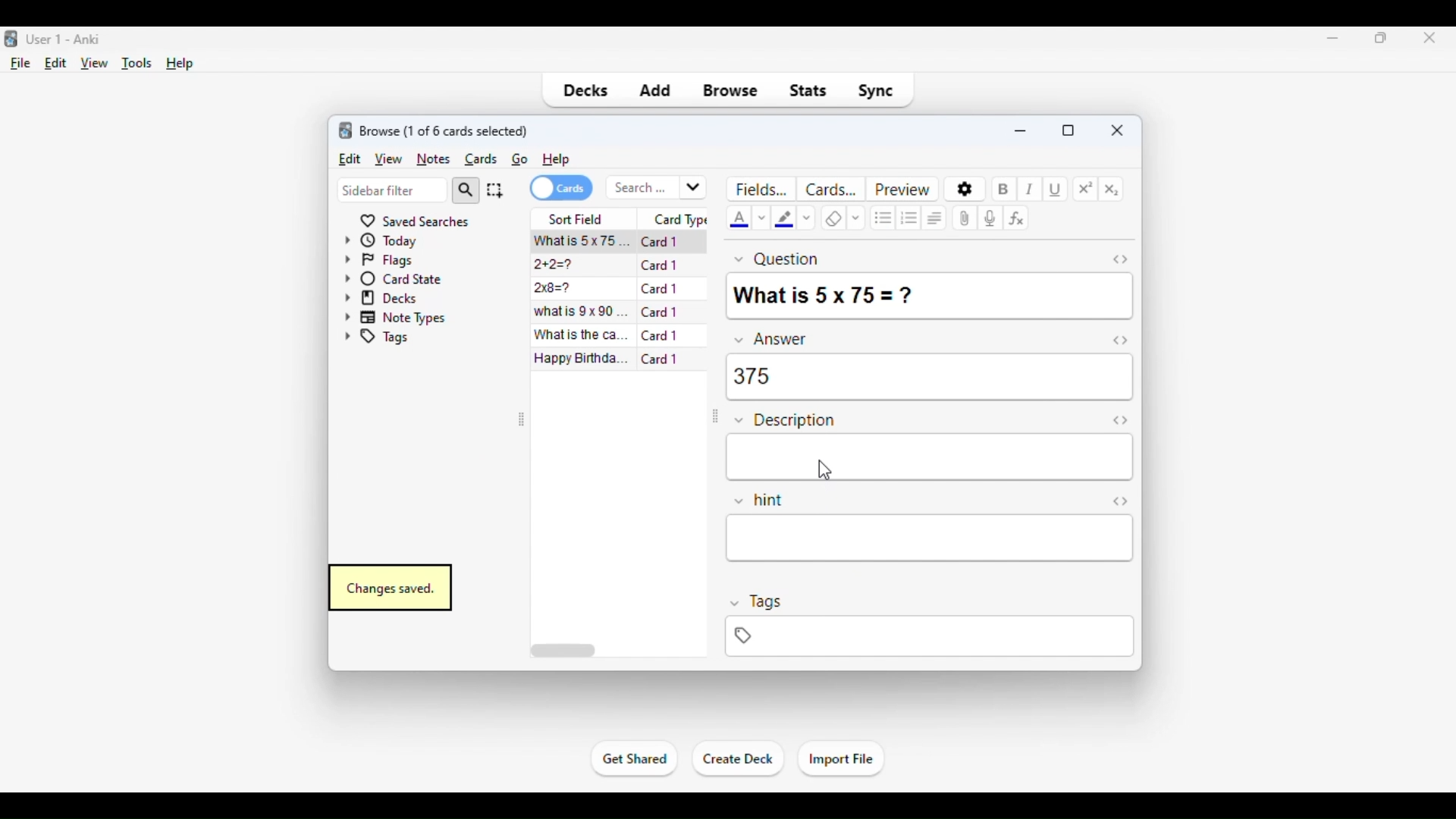  Describe the element at coordinates (375, 337) in the screenshot. I see `tags` at that location.